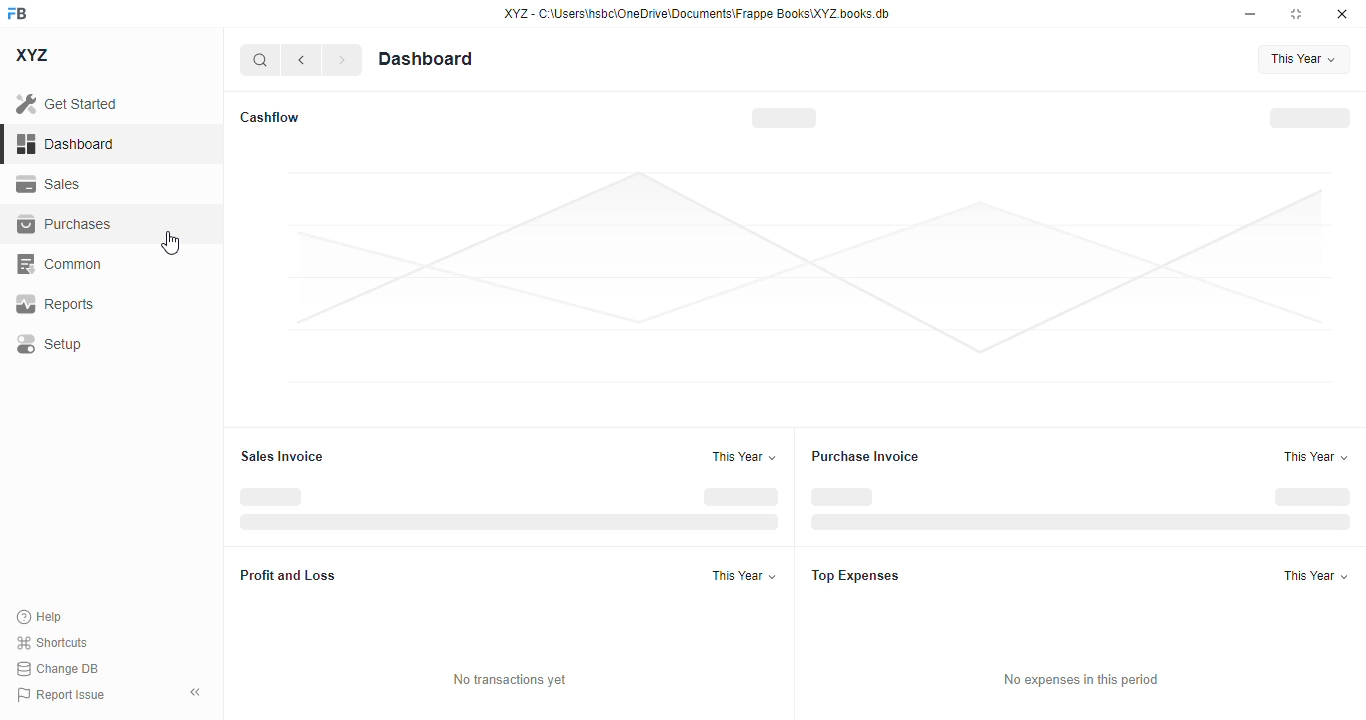 This screenshot has width=1366, height=720. I want to click on graph, so click(807, 279).